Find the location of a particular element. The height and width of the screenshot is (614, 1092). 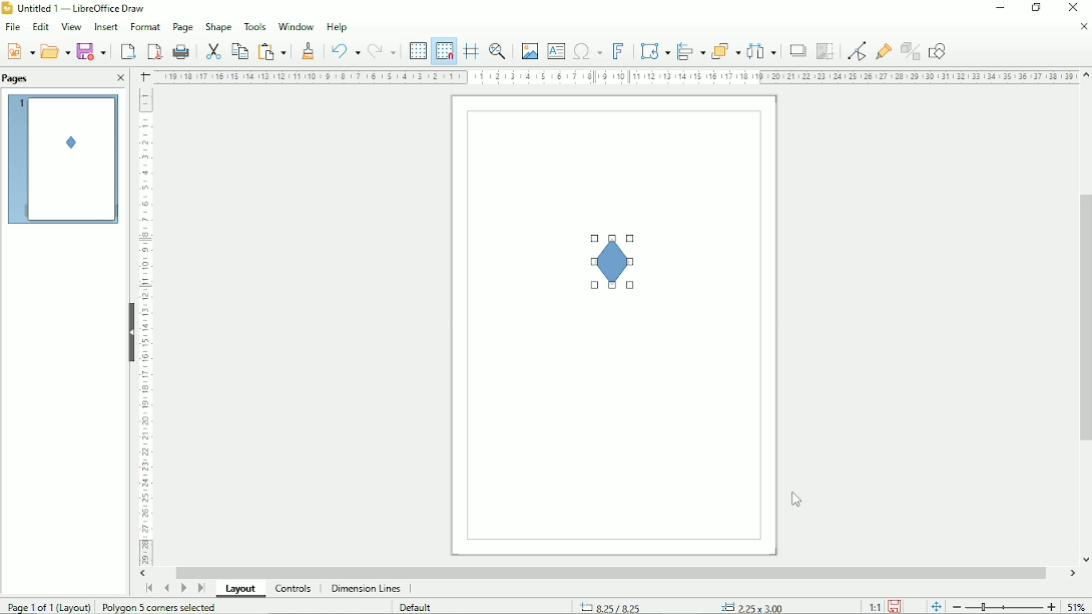

File is located at coordinates (13, 27).